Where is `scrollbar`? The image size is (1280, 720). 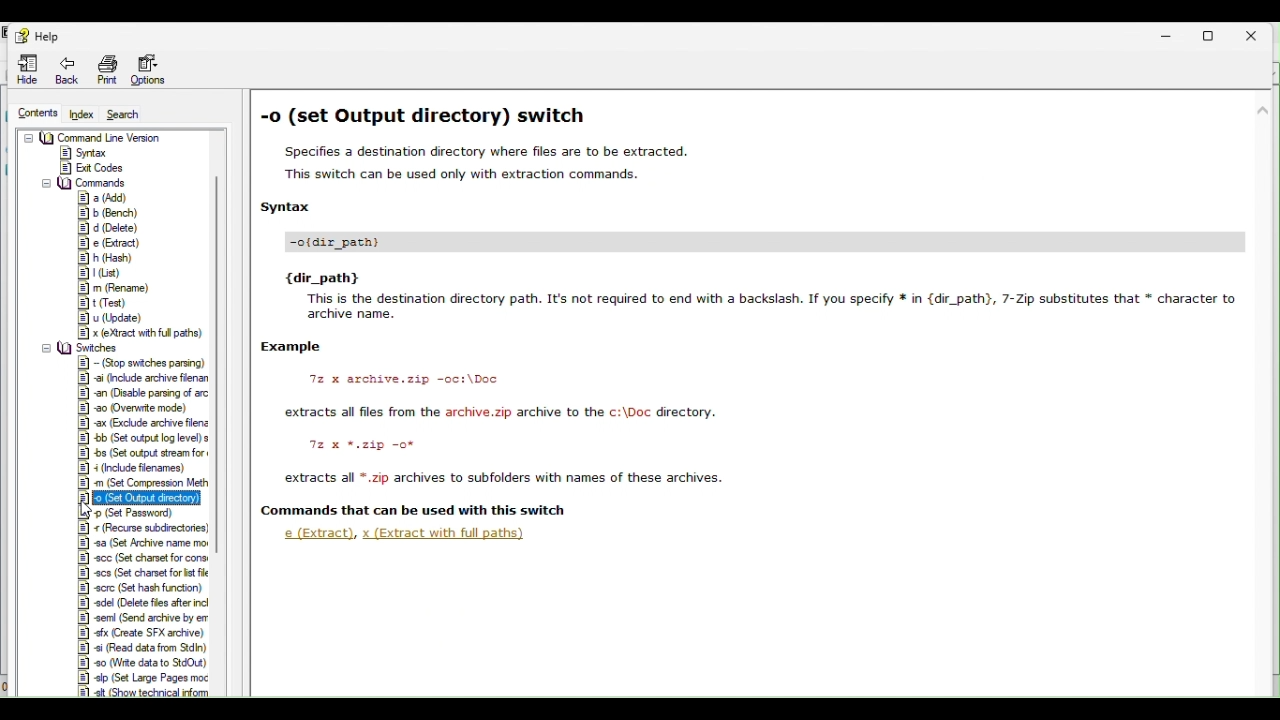 scrollbar is located at coordinates (219, 258).